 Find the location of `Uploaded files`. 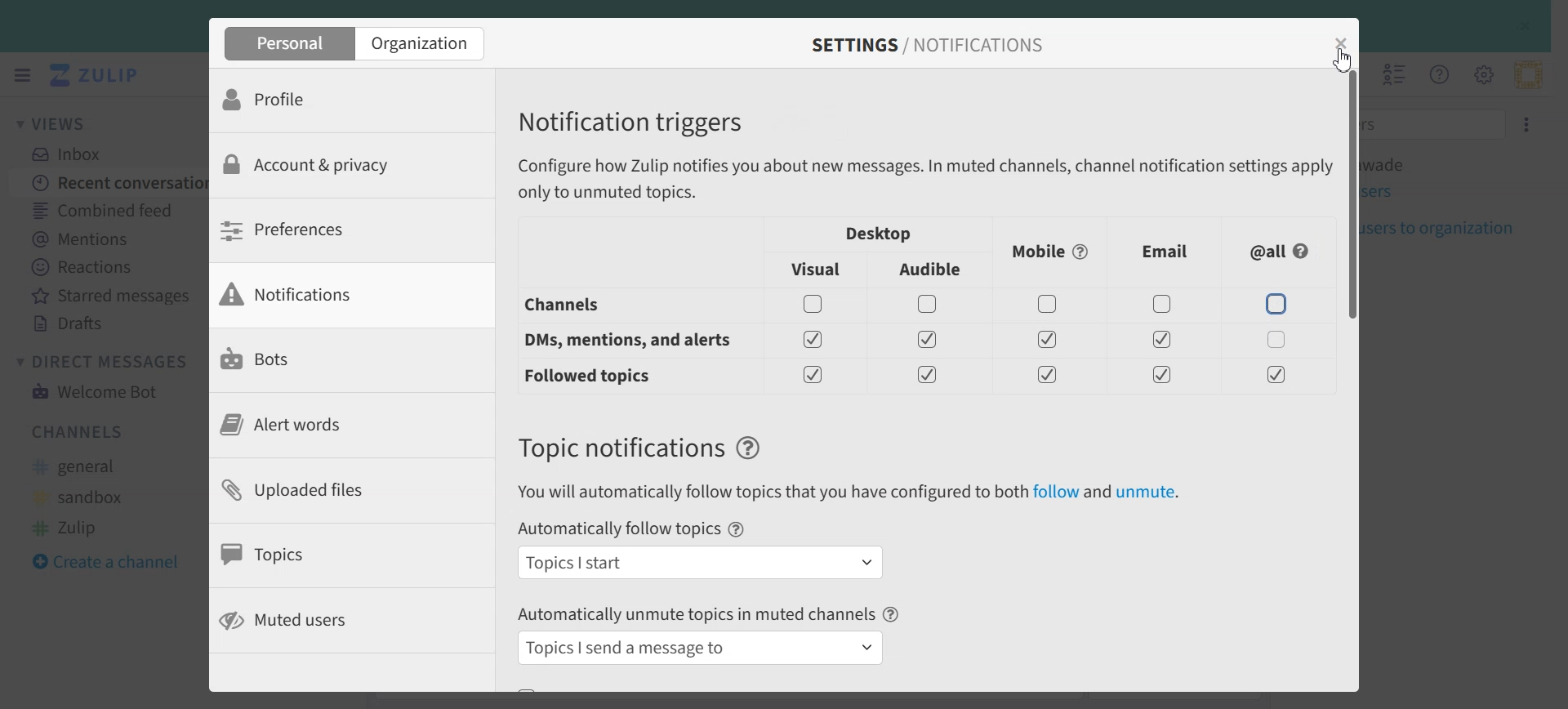

Uploaded files is located at coordinates (332, 488).